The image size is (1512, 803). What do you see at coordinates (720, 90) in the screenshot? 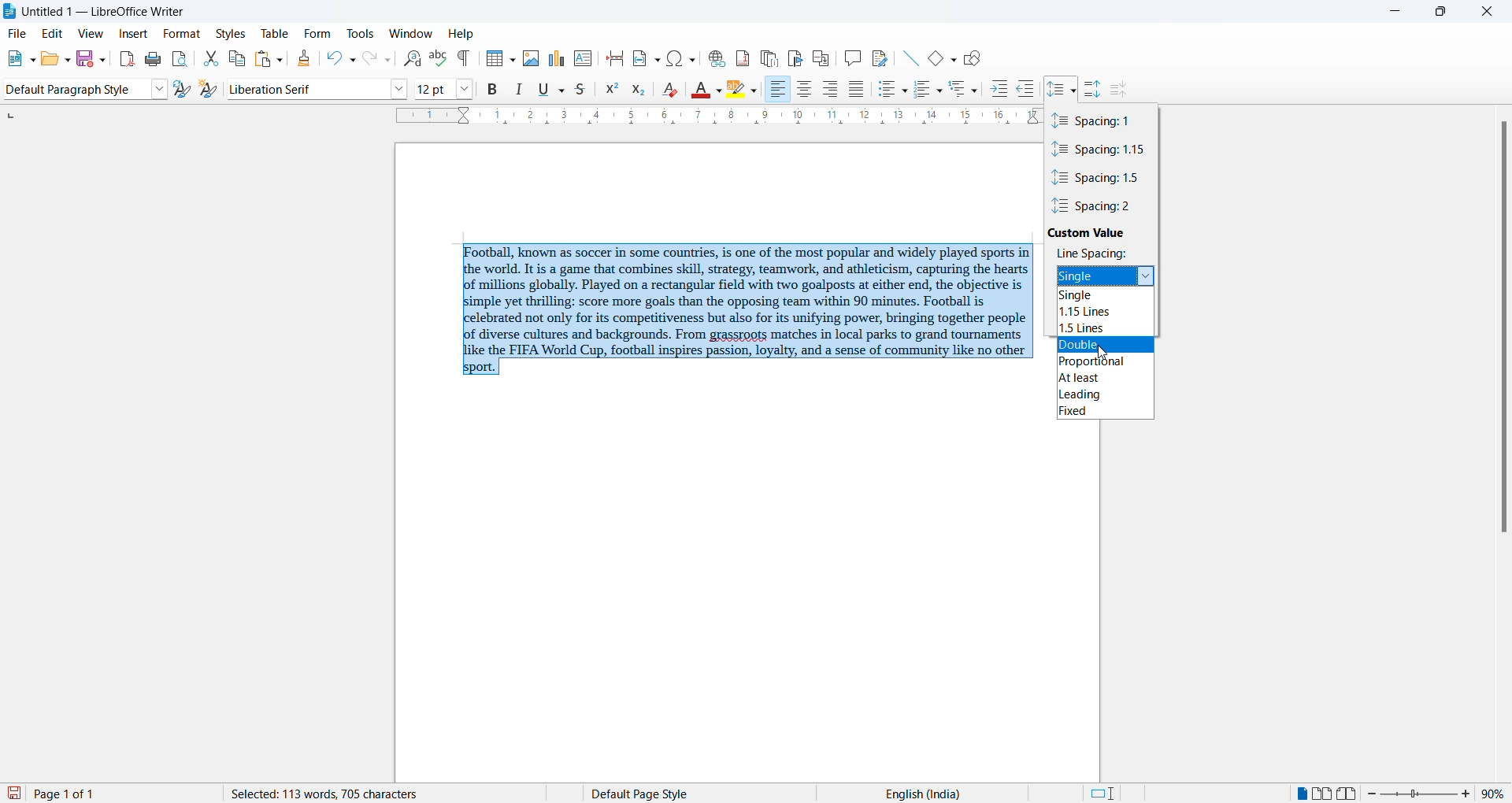
I see `font color options` at bounding box center [720, 90].